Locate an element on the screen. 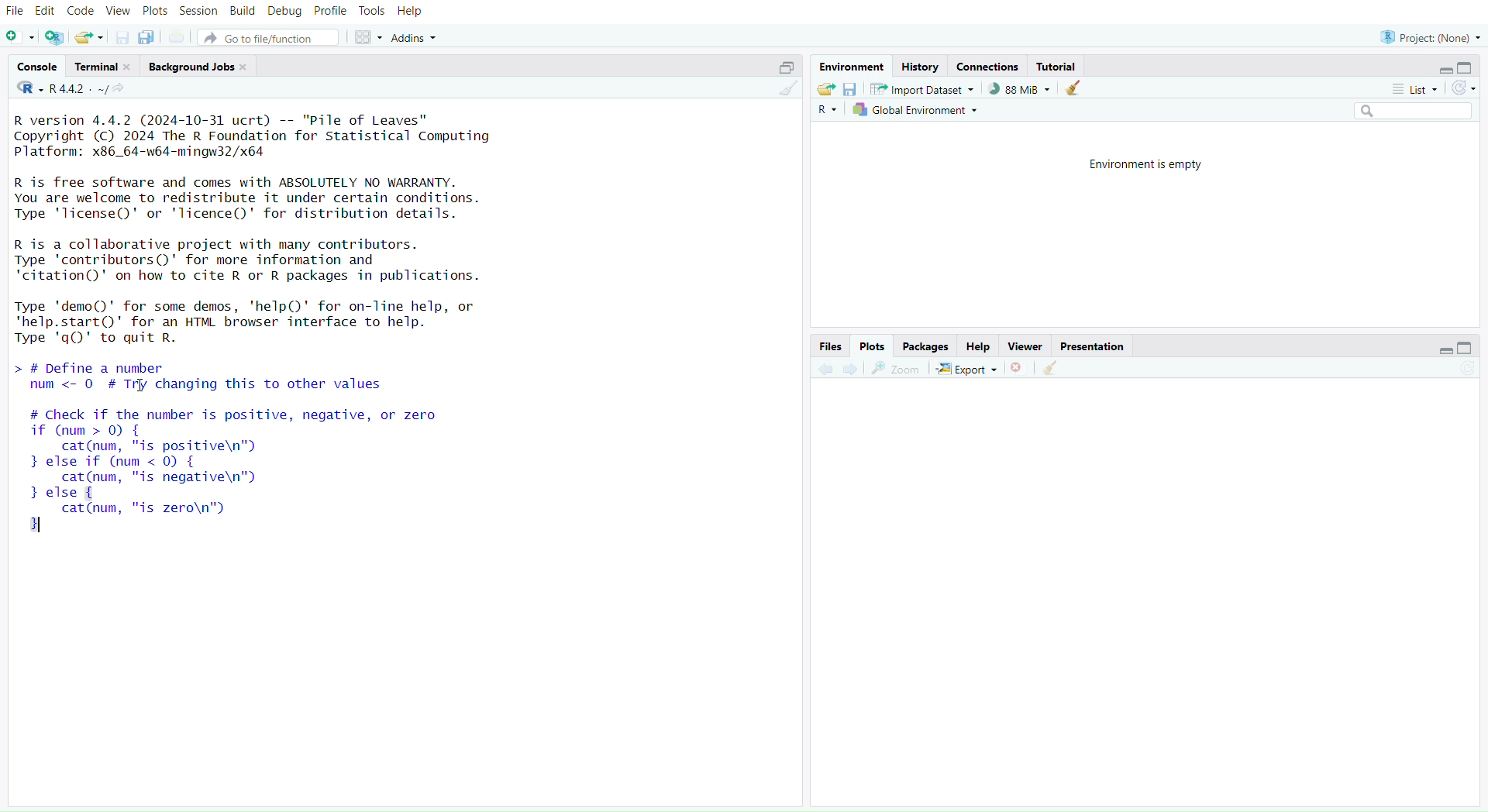  load workspace is located at coordinates (825, 90).